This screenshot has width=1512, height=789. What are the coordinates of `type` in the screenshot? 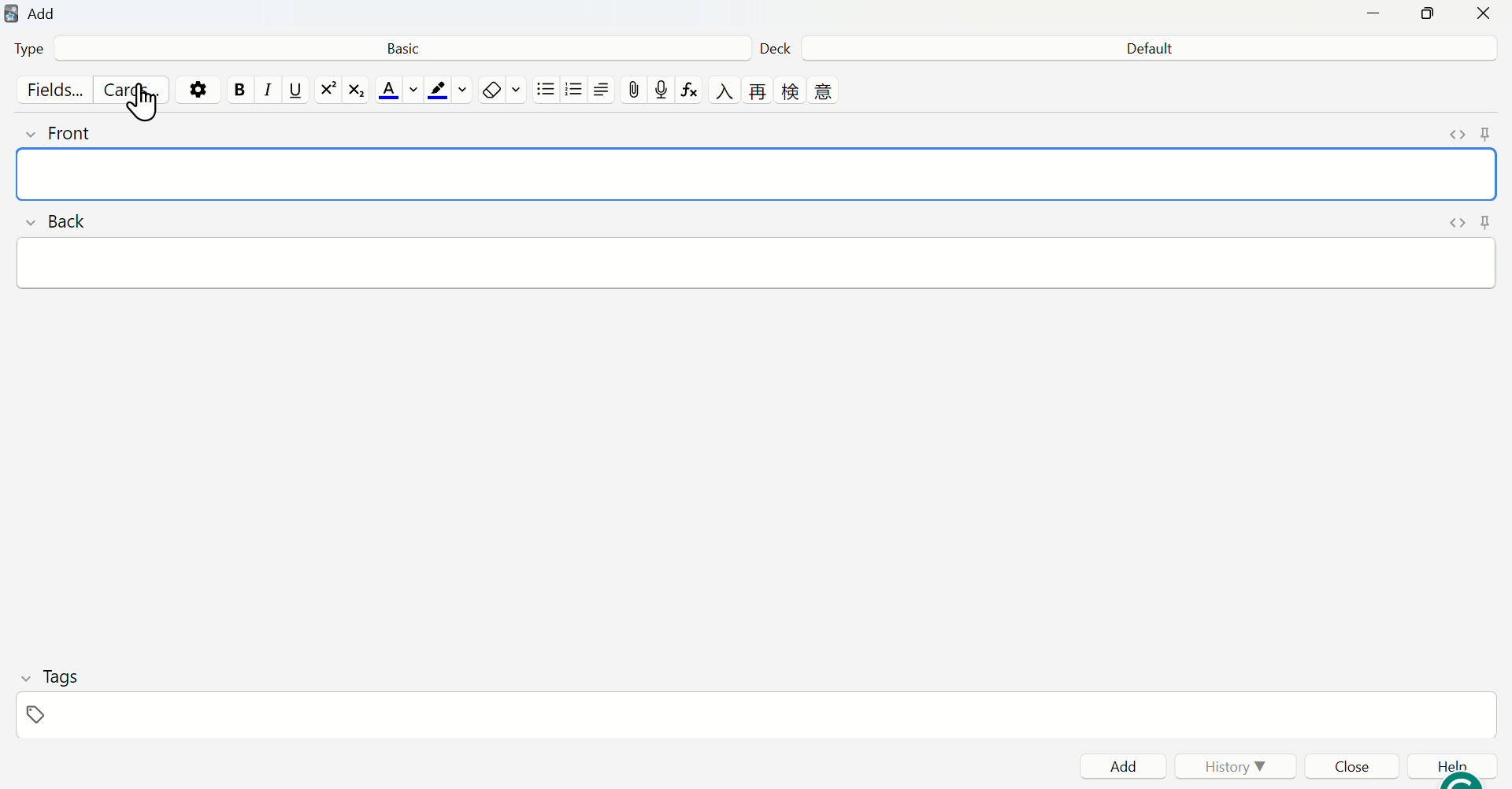 It's located at (28, 49).